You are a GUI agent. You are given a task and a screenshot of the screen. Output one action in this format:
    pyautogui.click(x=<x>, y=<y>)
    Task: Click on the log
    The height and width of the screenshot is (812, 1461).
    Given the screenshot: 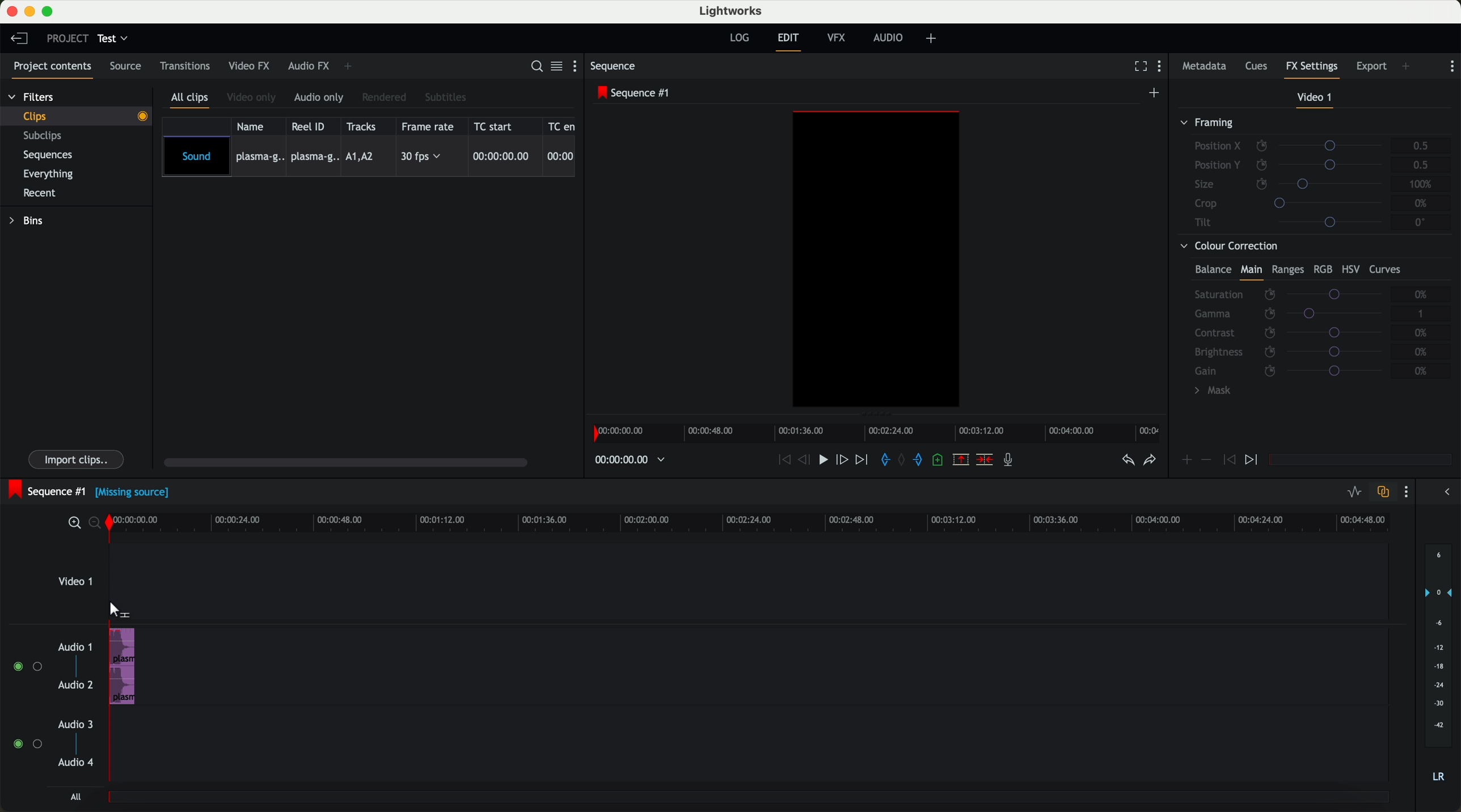 What is the action you would take?
    pyautogui.click(x=738, y=38)
    